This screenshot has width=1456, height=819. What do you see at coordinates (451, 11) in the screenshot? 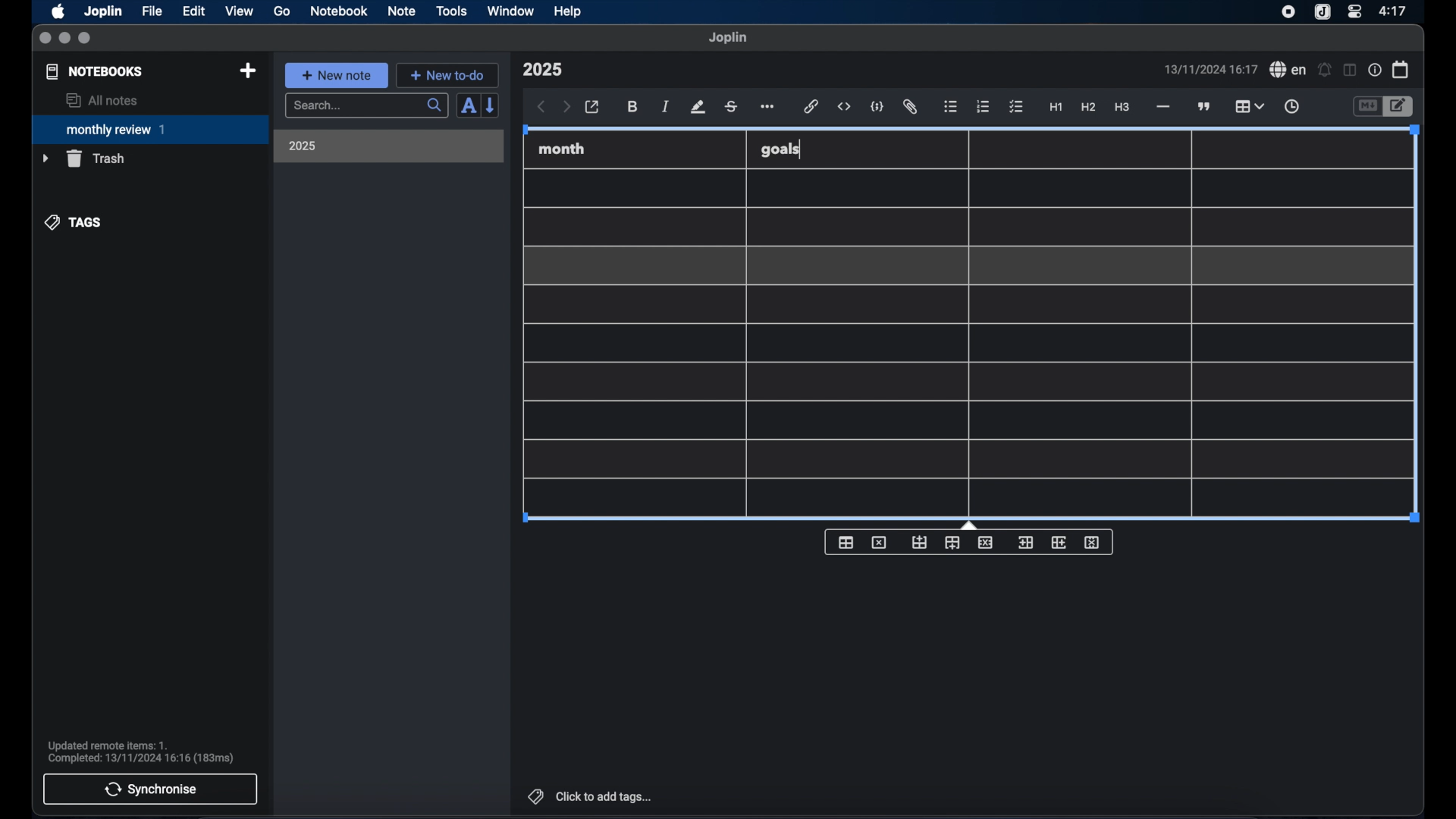
I see `tools` at bounding box center [451, 11].